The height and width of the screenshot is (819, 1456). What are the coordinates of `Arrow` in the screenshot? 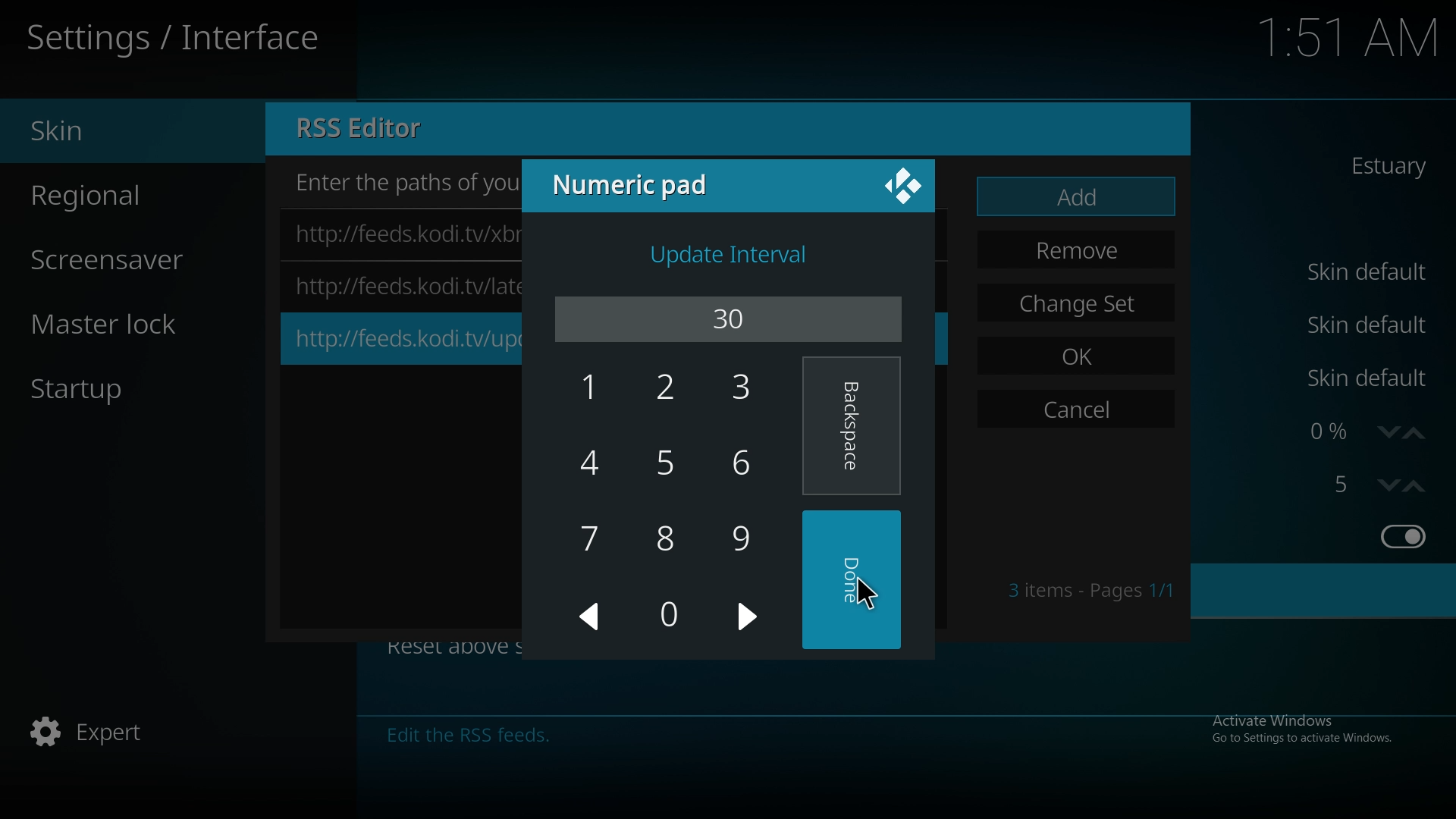 It's located at (745, 619).